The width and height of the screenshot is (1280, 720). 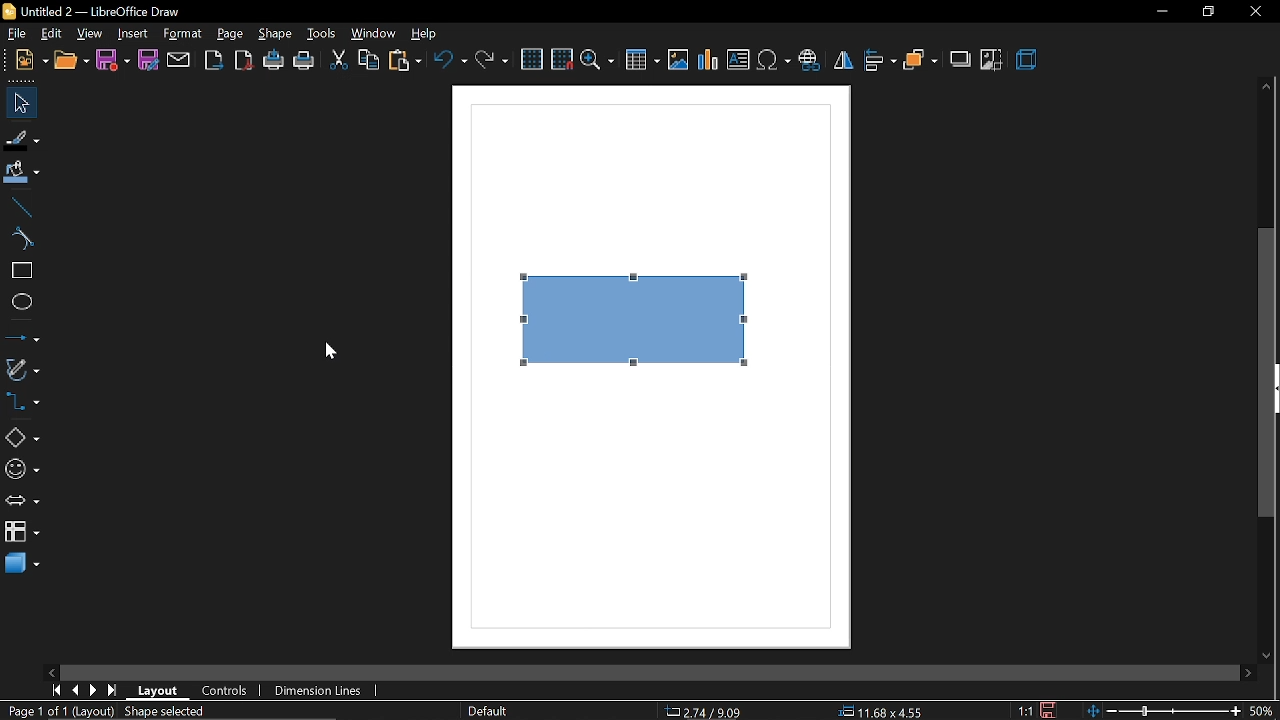 What do you see at coordinates (492, 60) in the screenshot?
I see `redo` at bounding box center [492, 60].